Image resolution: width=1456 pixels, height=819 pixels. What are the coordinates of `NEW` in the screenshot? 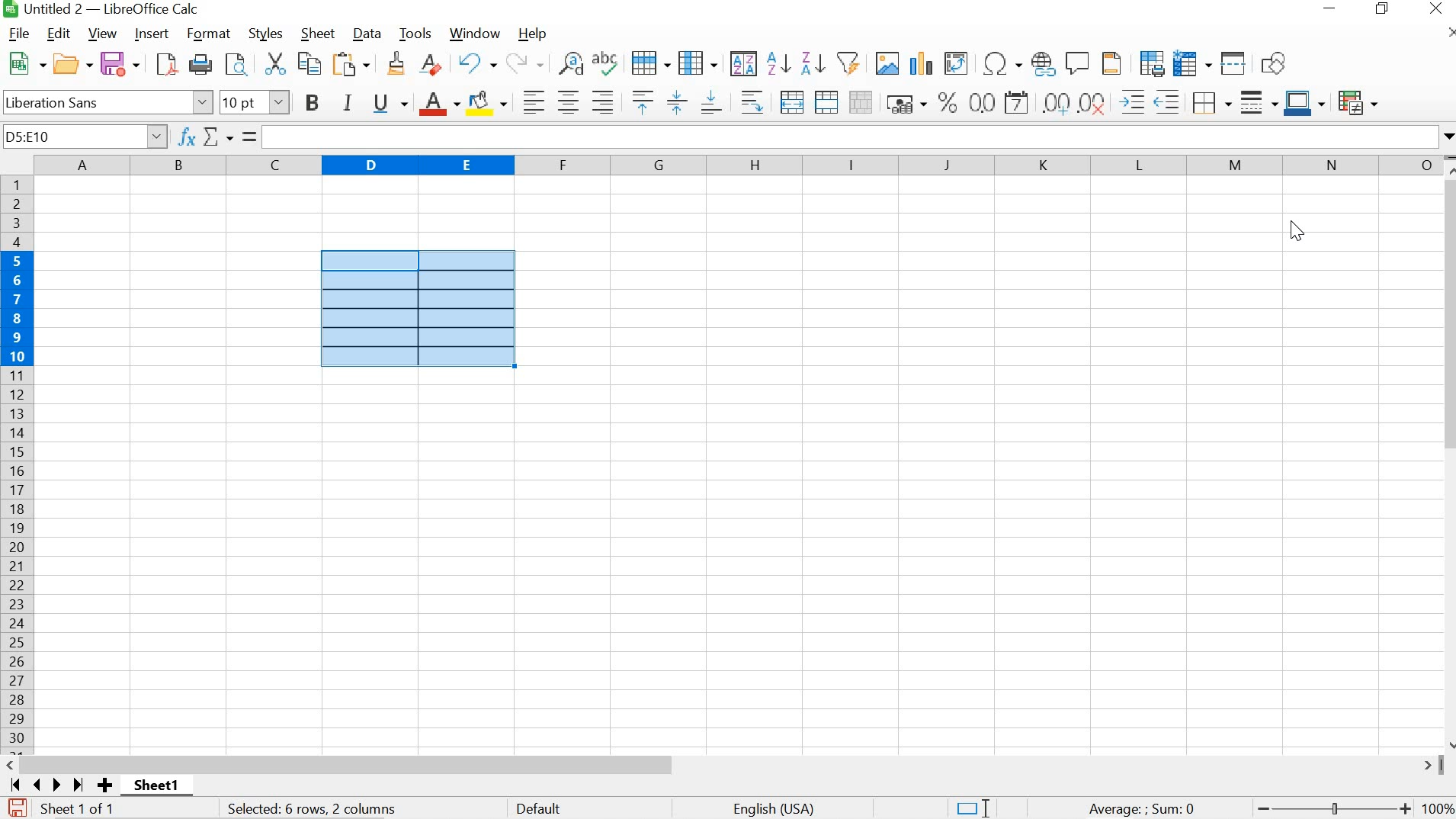 It's located at (25, 62).